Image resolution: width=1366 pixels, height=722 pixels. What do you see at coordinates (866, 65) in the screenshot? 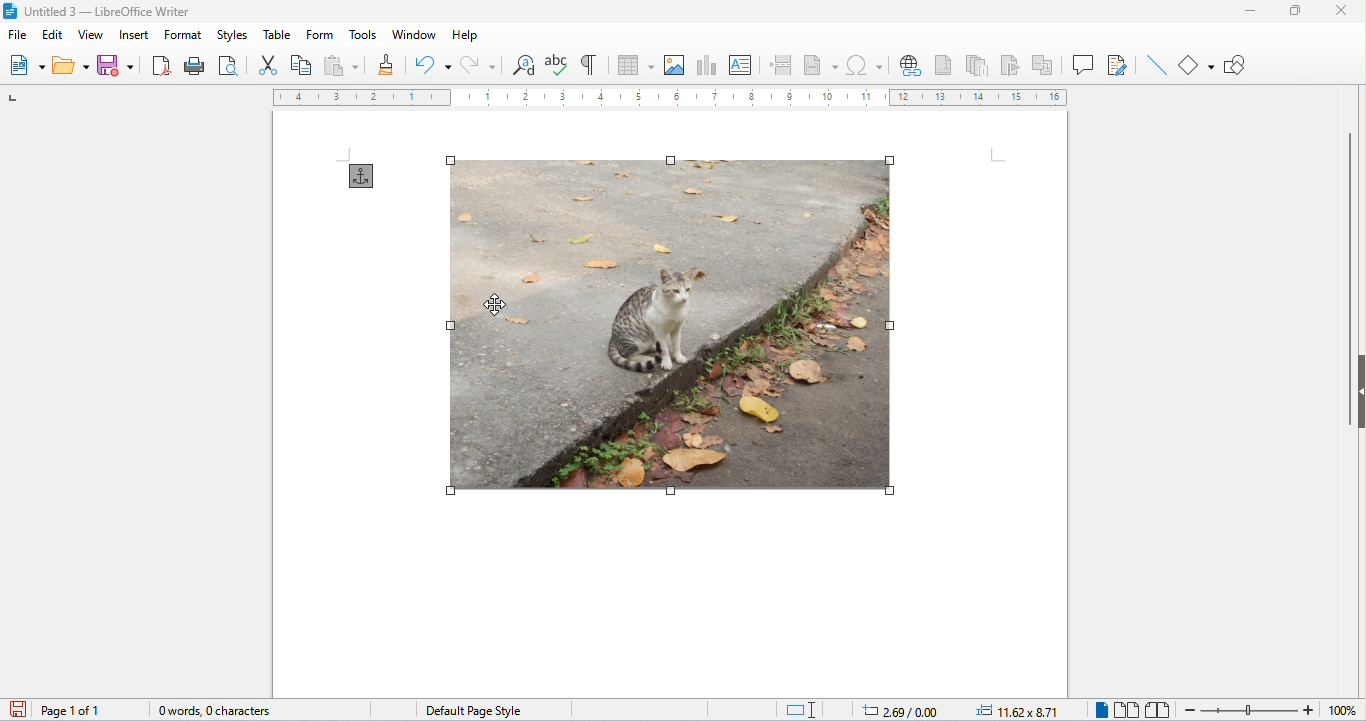
I see `insert special characters` at bounding box center [866, 65].